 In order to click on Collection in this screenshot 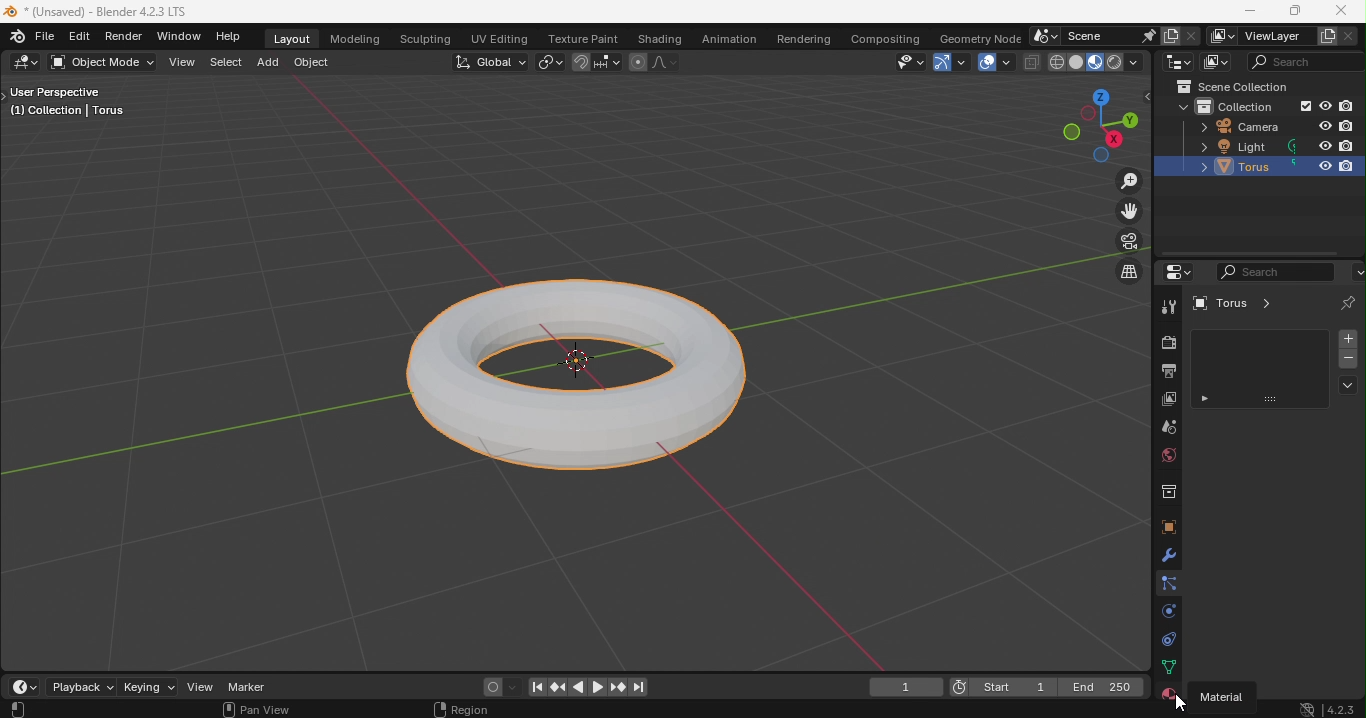, I will do `click(1234, 105)`.